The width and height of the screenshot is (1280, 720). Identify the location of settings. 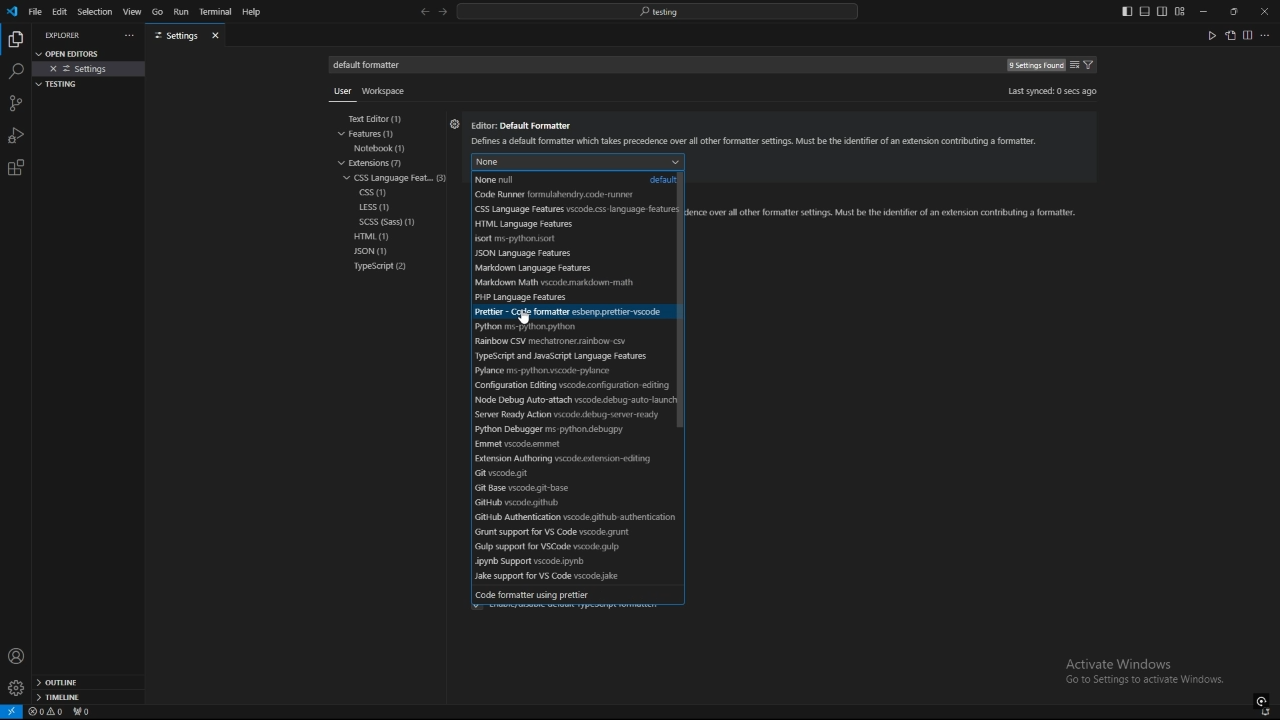
(90, 69).